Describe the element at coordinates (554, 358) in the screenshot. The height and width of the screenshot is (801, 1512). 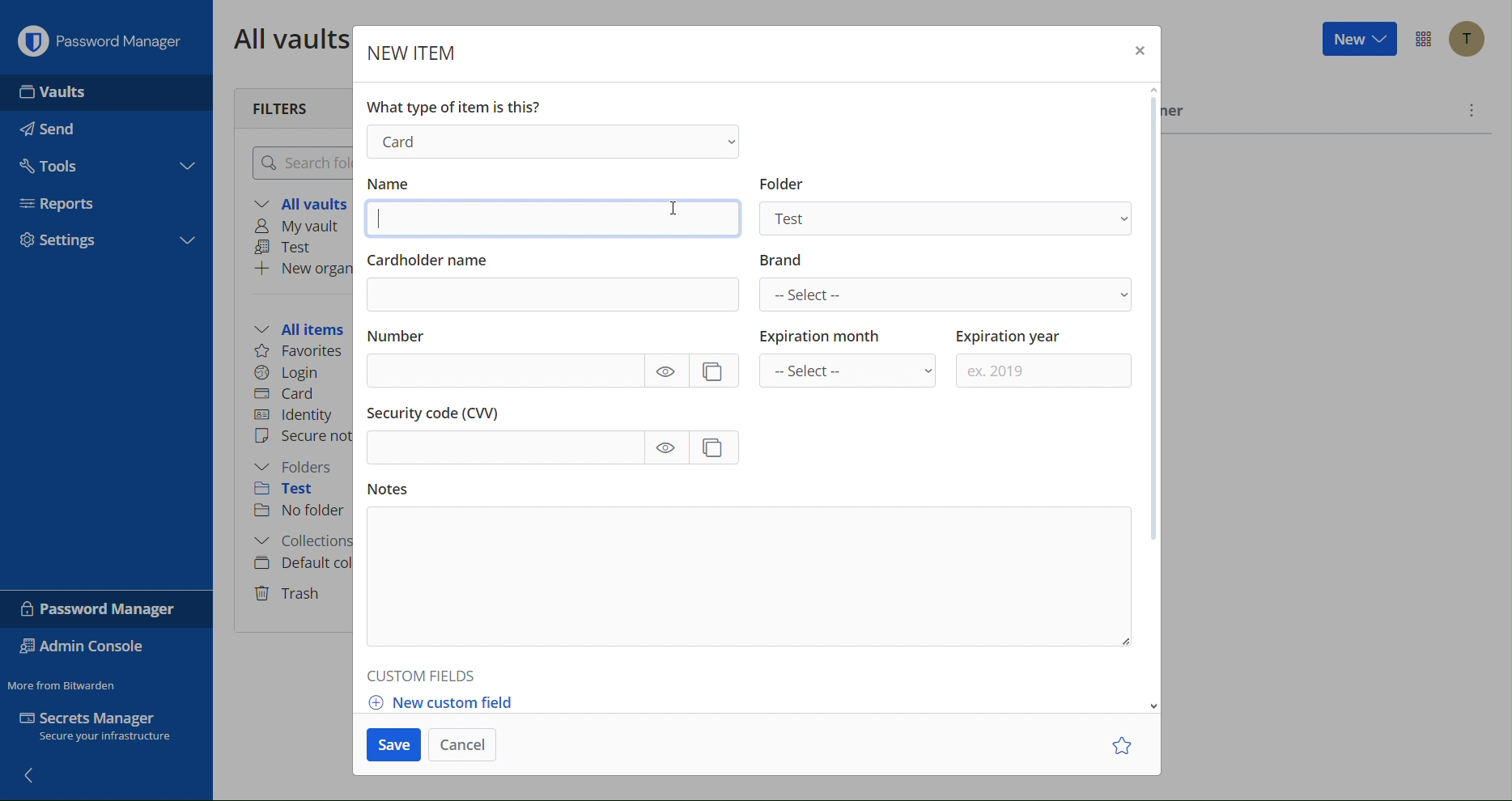
I see `Number` at that location.